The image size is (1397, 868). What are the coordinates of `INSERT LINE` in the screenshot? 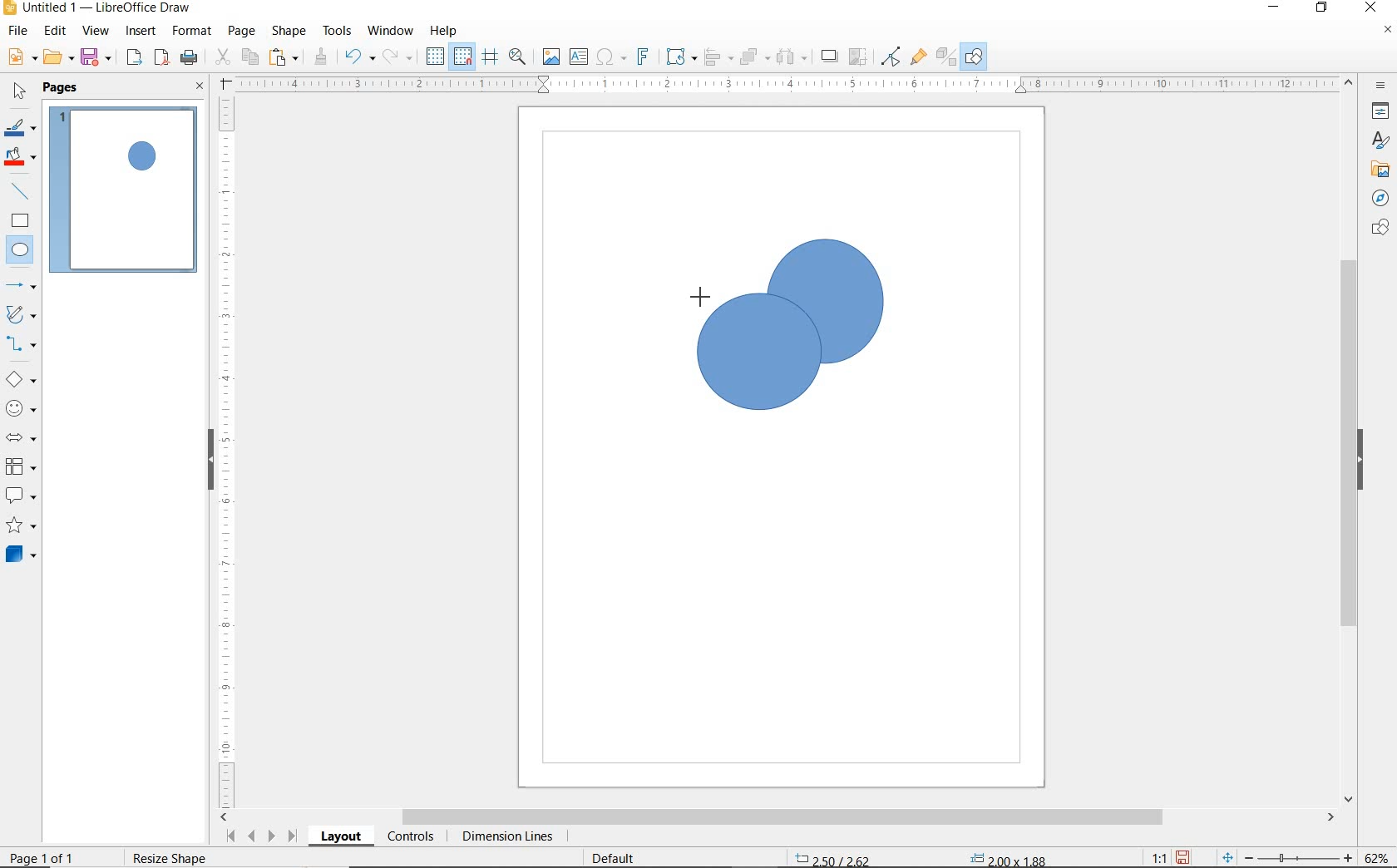 It's located at (22, 191).